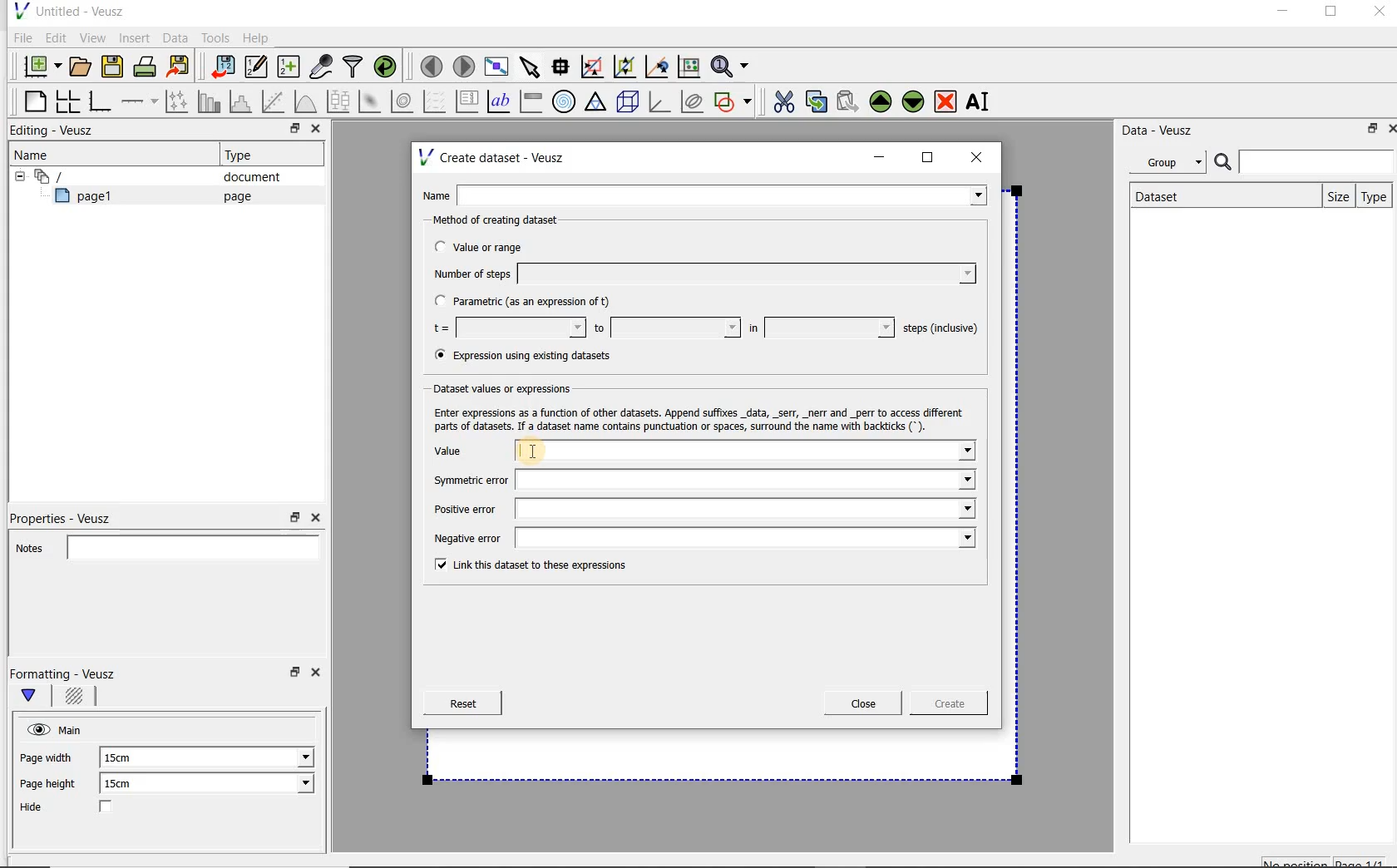 The height and width of the screenshot is (868, 1397). Describe the element at coordinates (597, 102) in the screenshot. I see `ternary graph` at that location.